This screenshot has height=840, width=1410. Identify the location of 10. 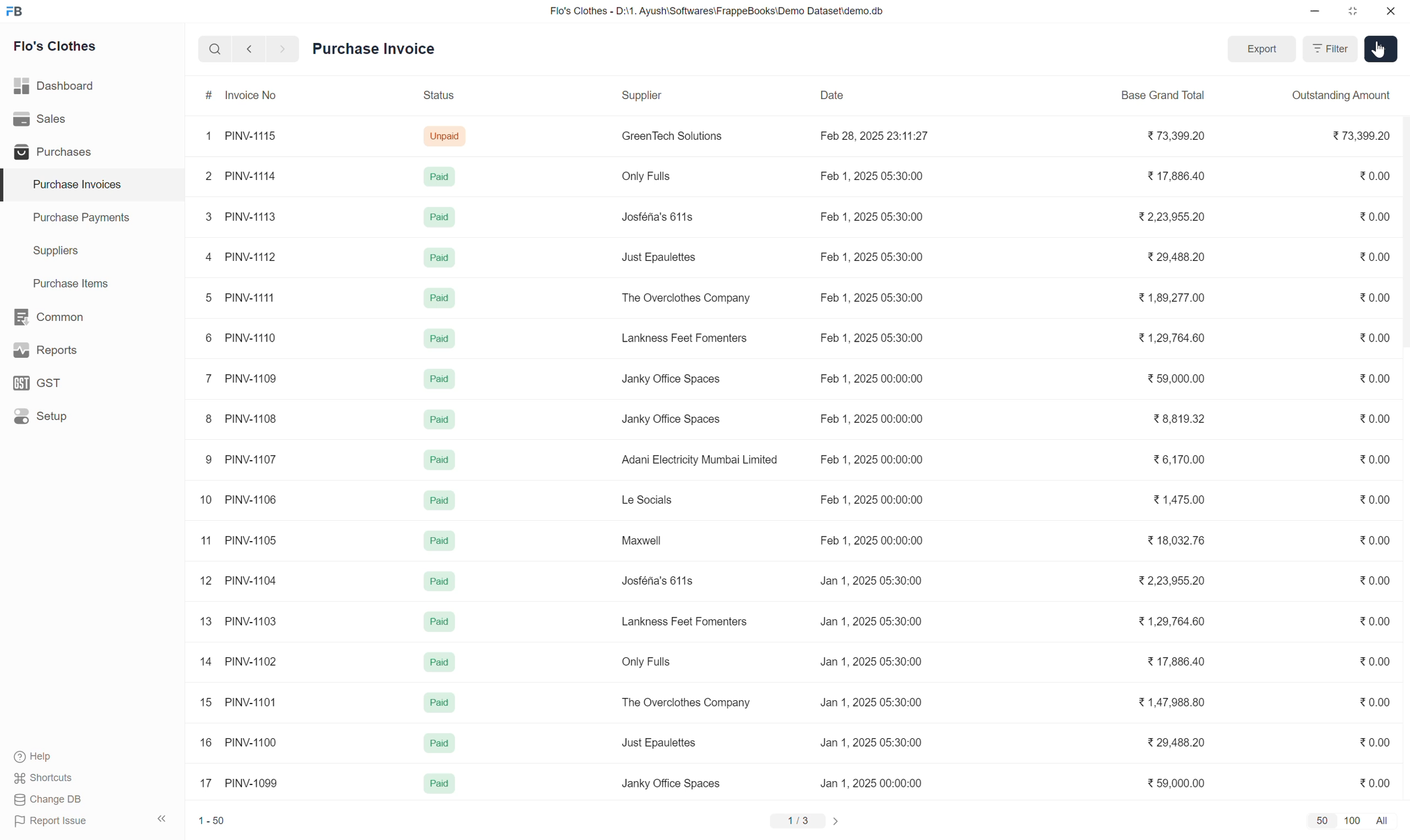
(205, 500).